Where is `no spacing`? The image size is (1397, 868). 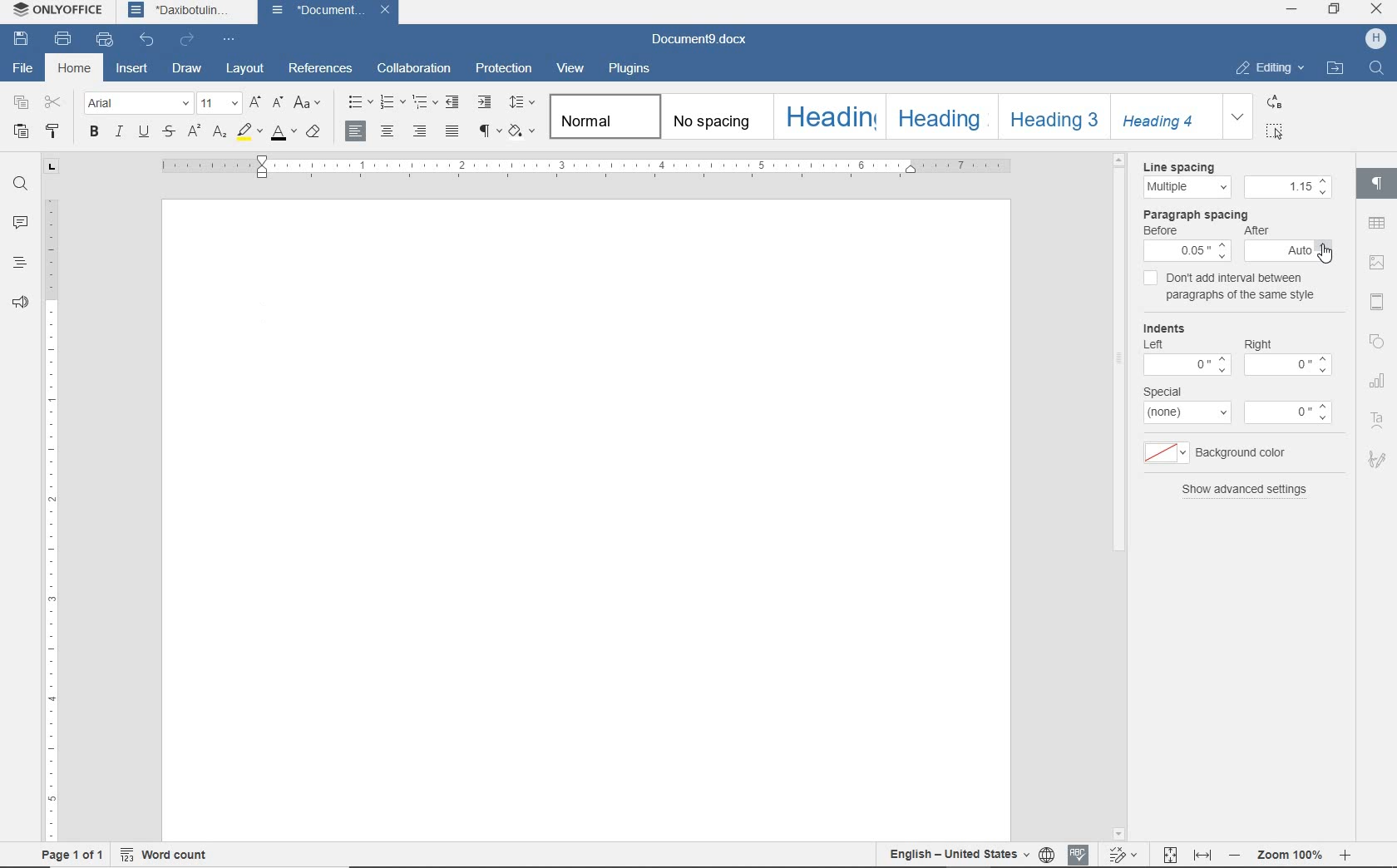
no spacing is located at coordinates (715, 118).